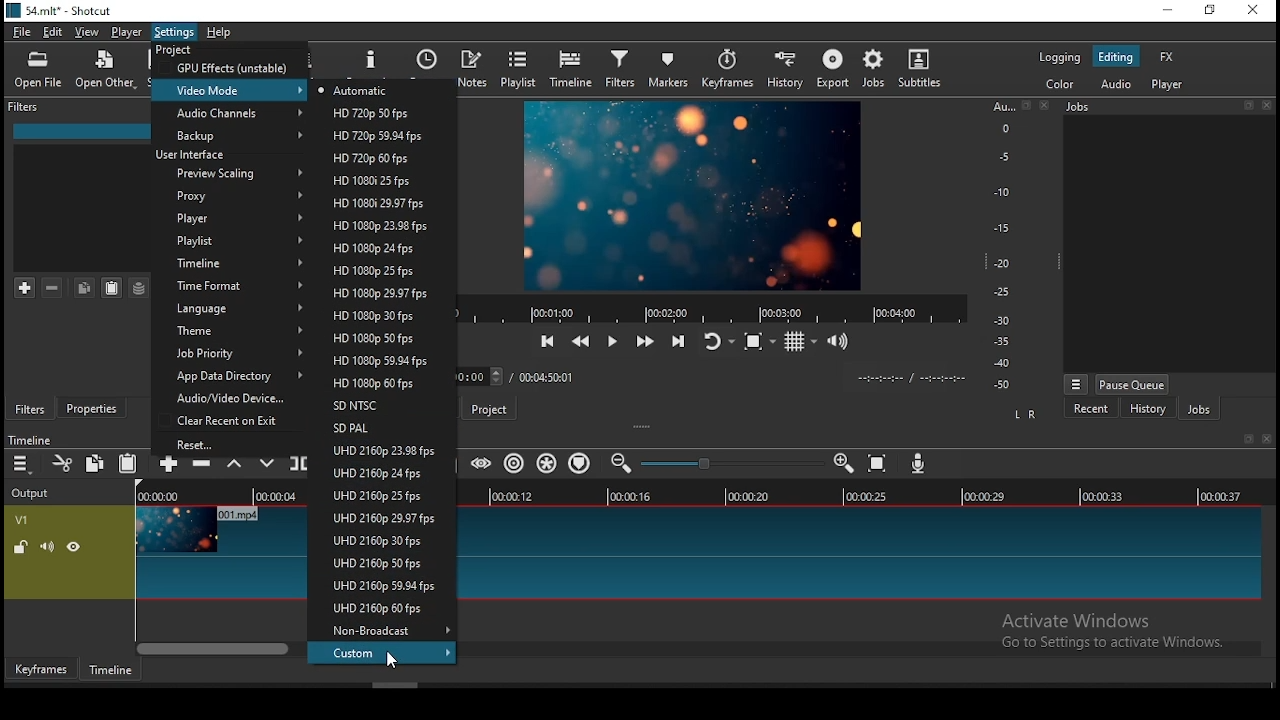 The width and height of the screenshot is (1280, 720). What do you see at coordinates (987, 496) in the screenshot?
I see `00:00:29` at bounding box center [987, 496].